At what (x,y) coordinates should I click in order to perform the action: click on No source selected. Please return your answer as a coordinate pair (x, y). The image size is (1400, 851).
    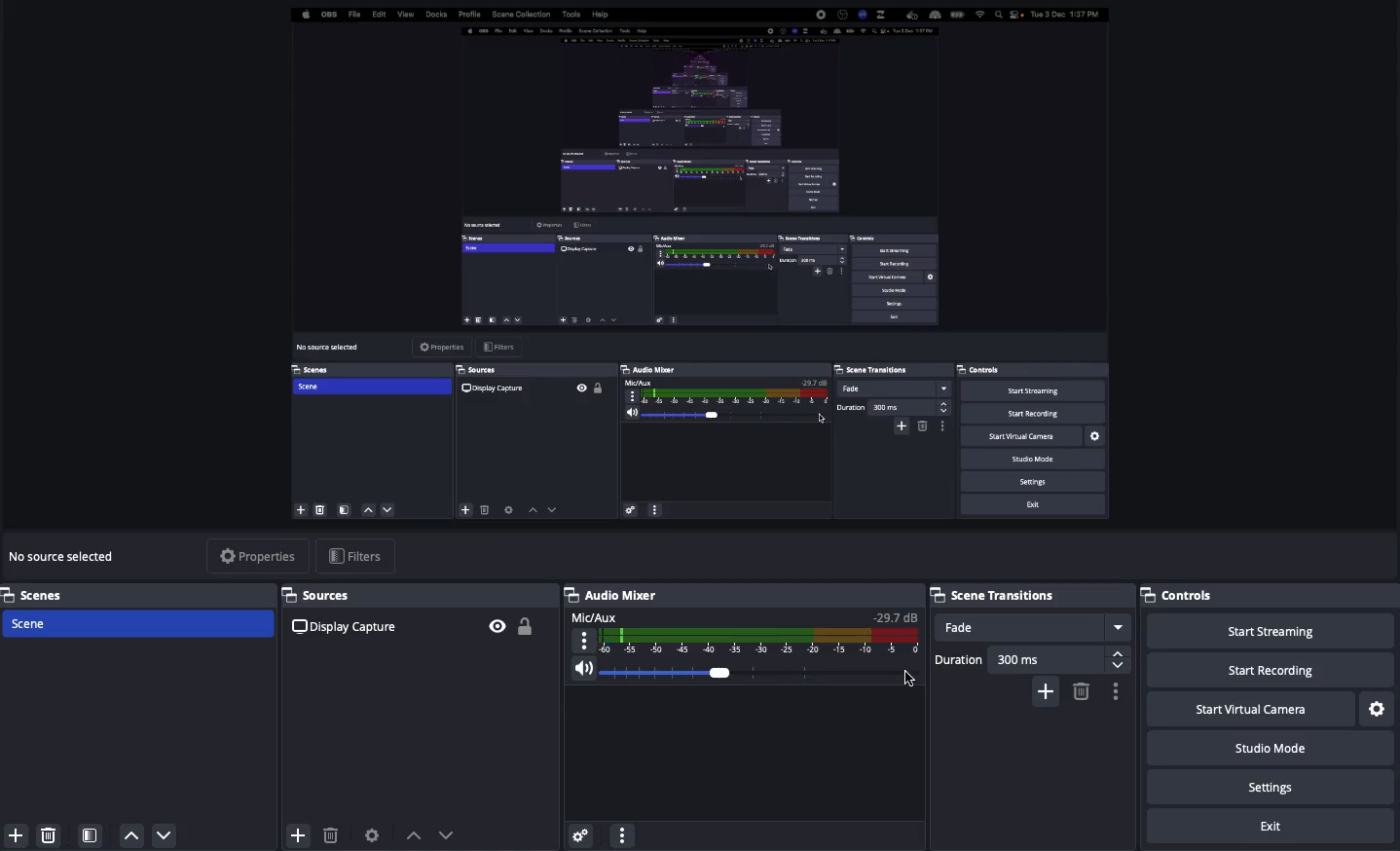
    Looking at the image, I should click on (66, 556).